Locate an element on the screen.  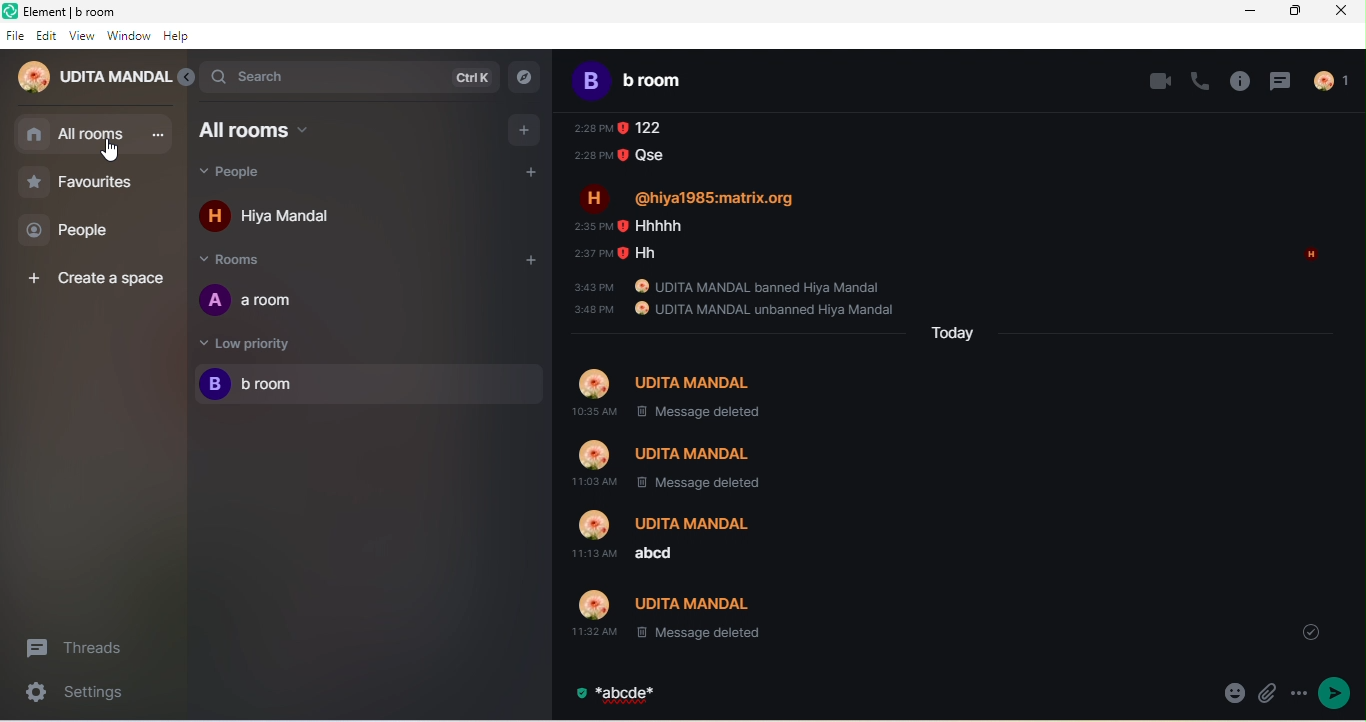
explorer is located at coordinates (526, 79).